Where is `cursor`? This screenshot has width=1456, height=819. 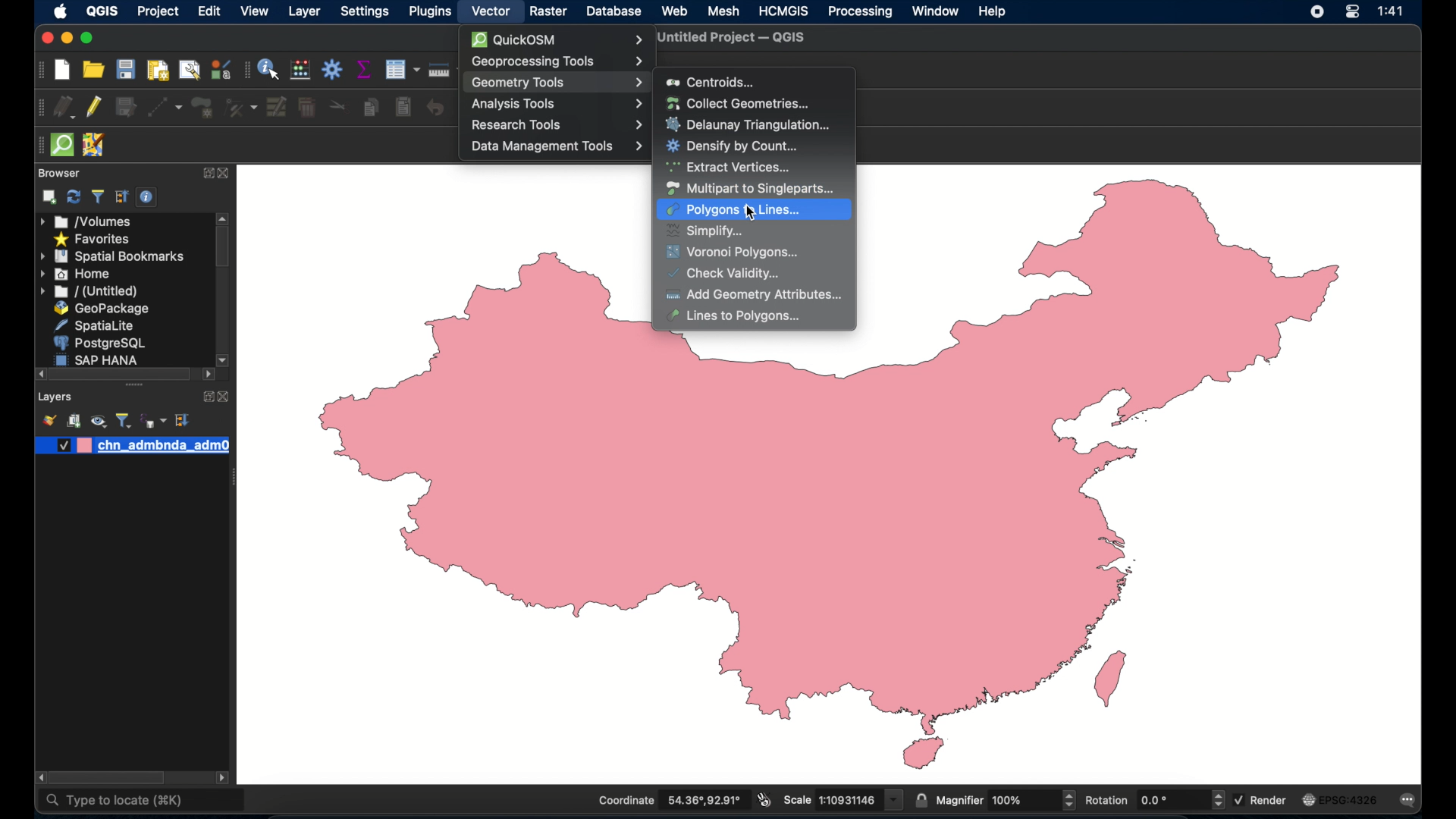
cursor is located at coordinates (750, 213).